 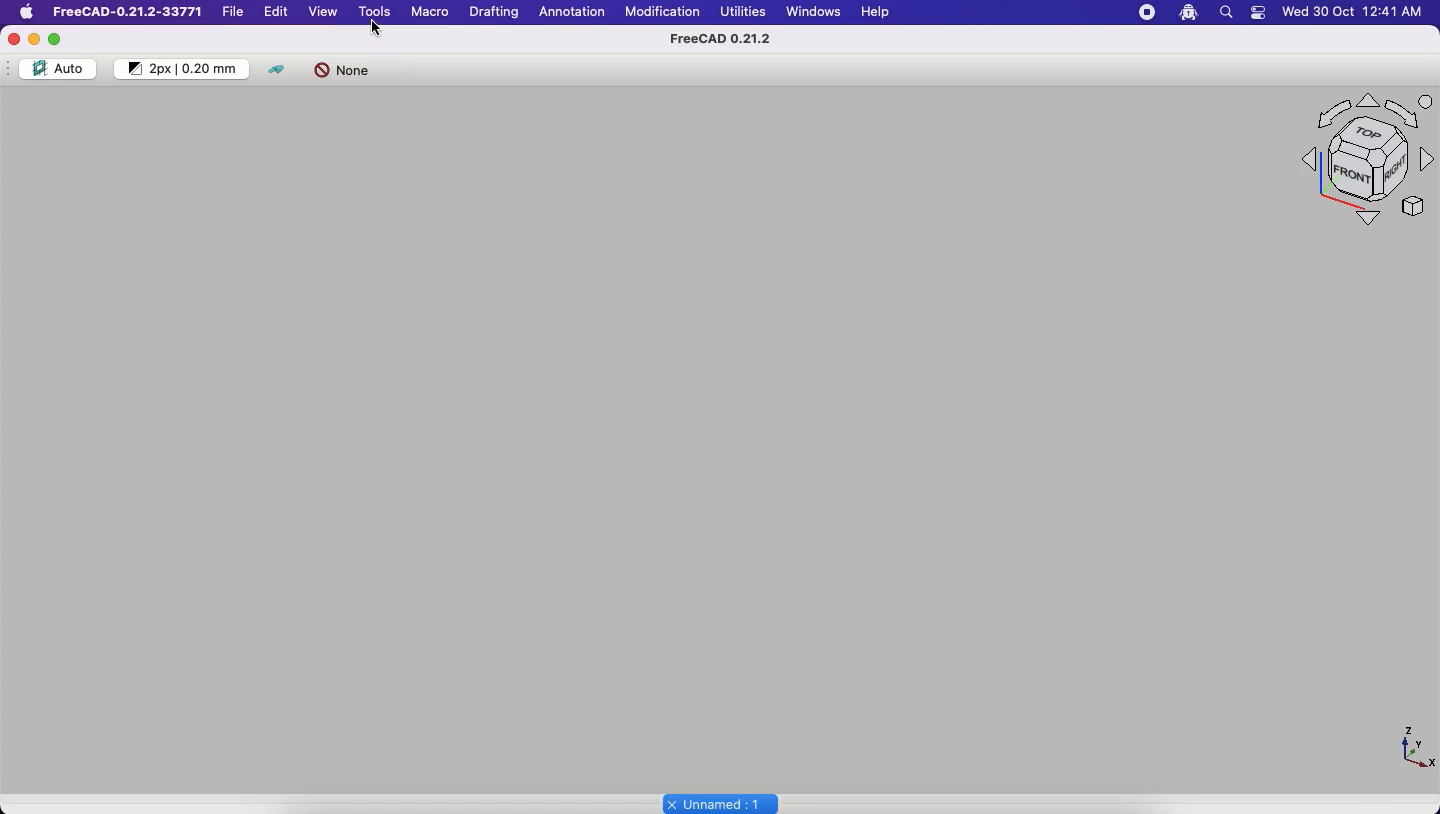 I want to click on Change default style for new objects, so click(x=182, y=67).